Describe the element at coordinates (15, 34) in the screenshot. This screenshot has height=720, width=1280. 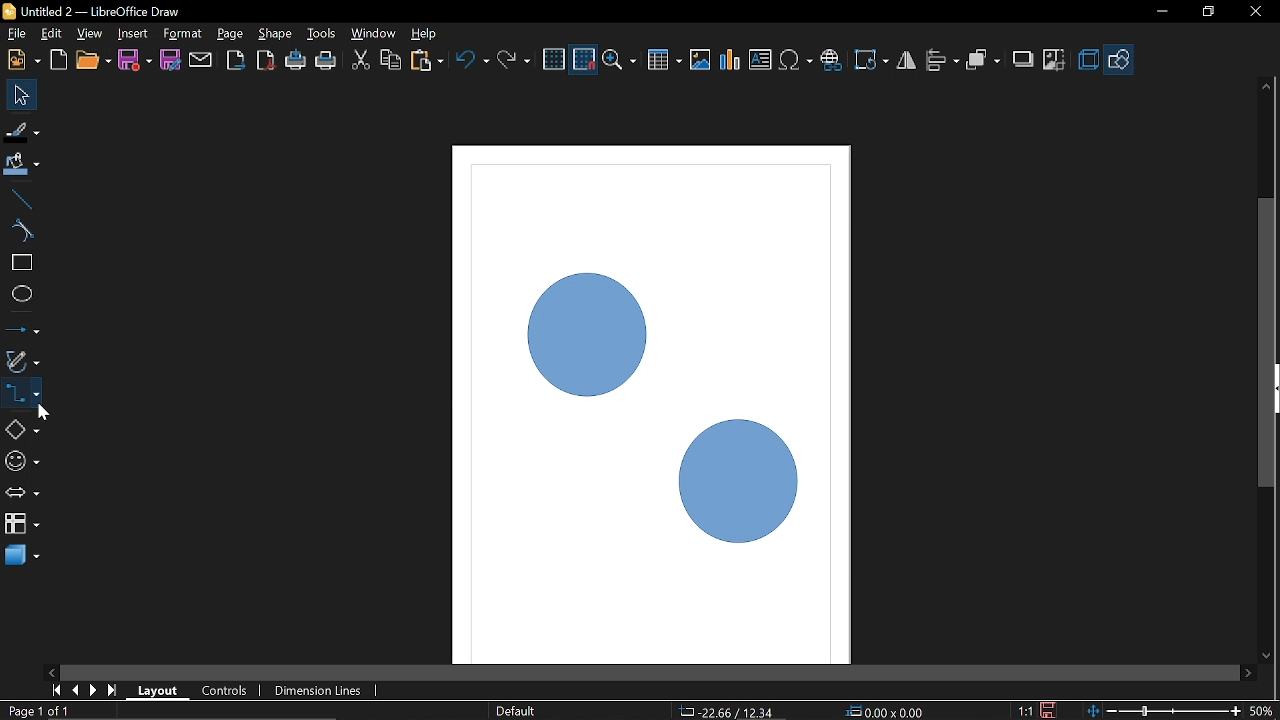
I see `file ` at that location.